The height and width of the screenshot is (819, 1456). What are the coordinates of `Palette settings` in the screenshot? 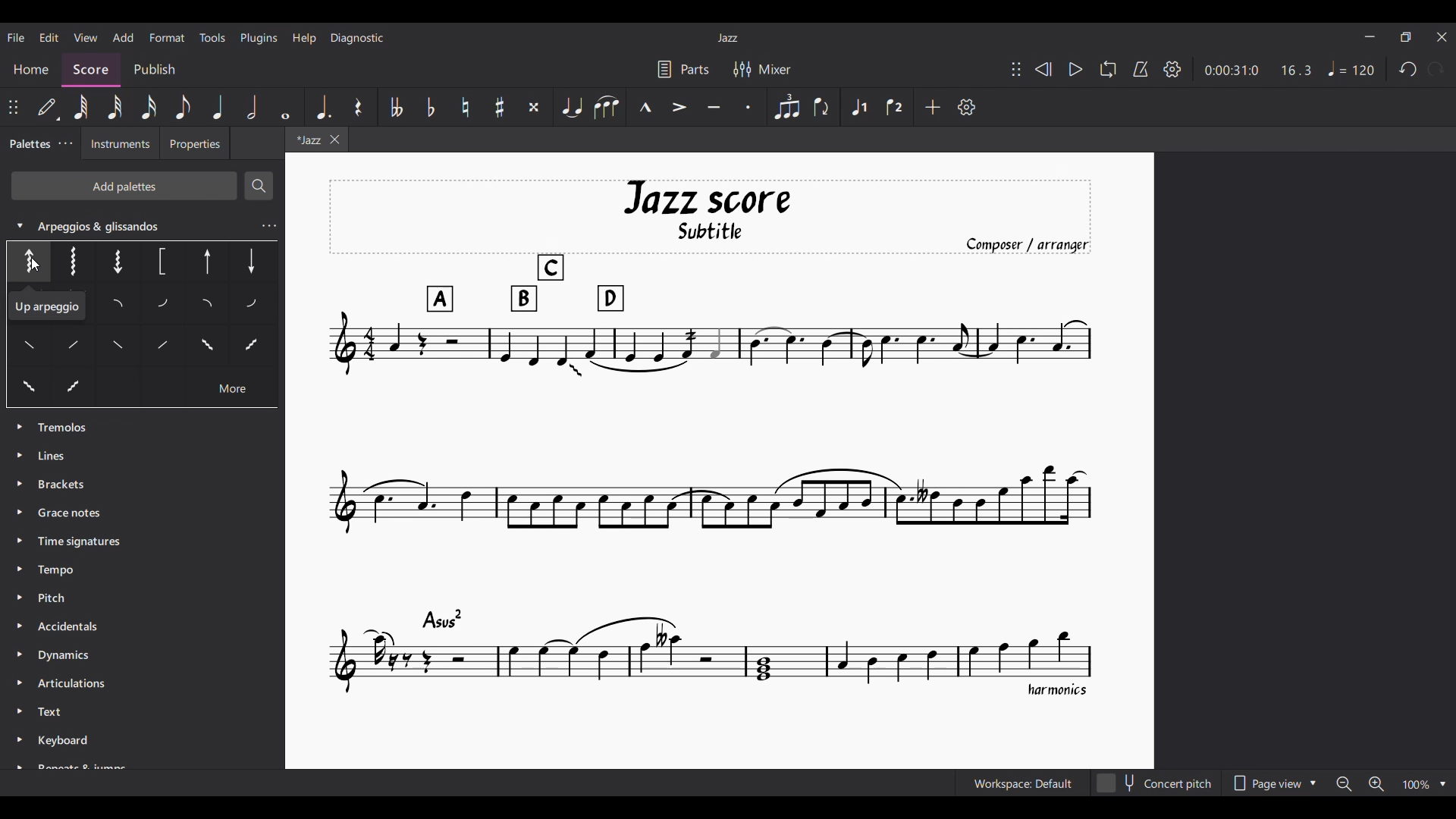 It's located at (65, 143).